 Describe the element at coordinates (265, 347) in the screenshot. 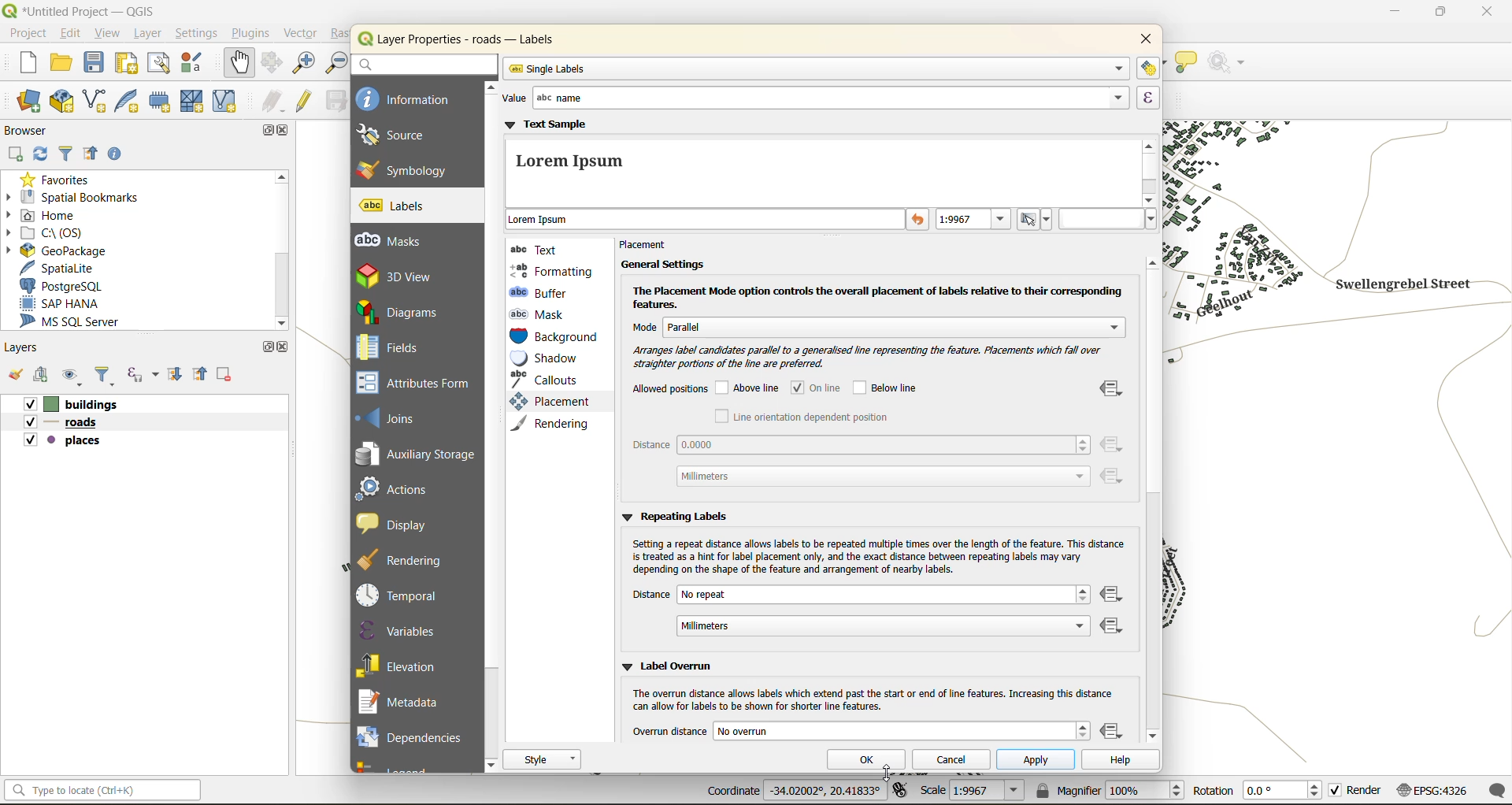

I see `maximize` at that location.